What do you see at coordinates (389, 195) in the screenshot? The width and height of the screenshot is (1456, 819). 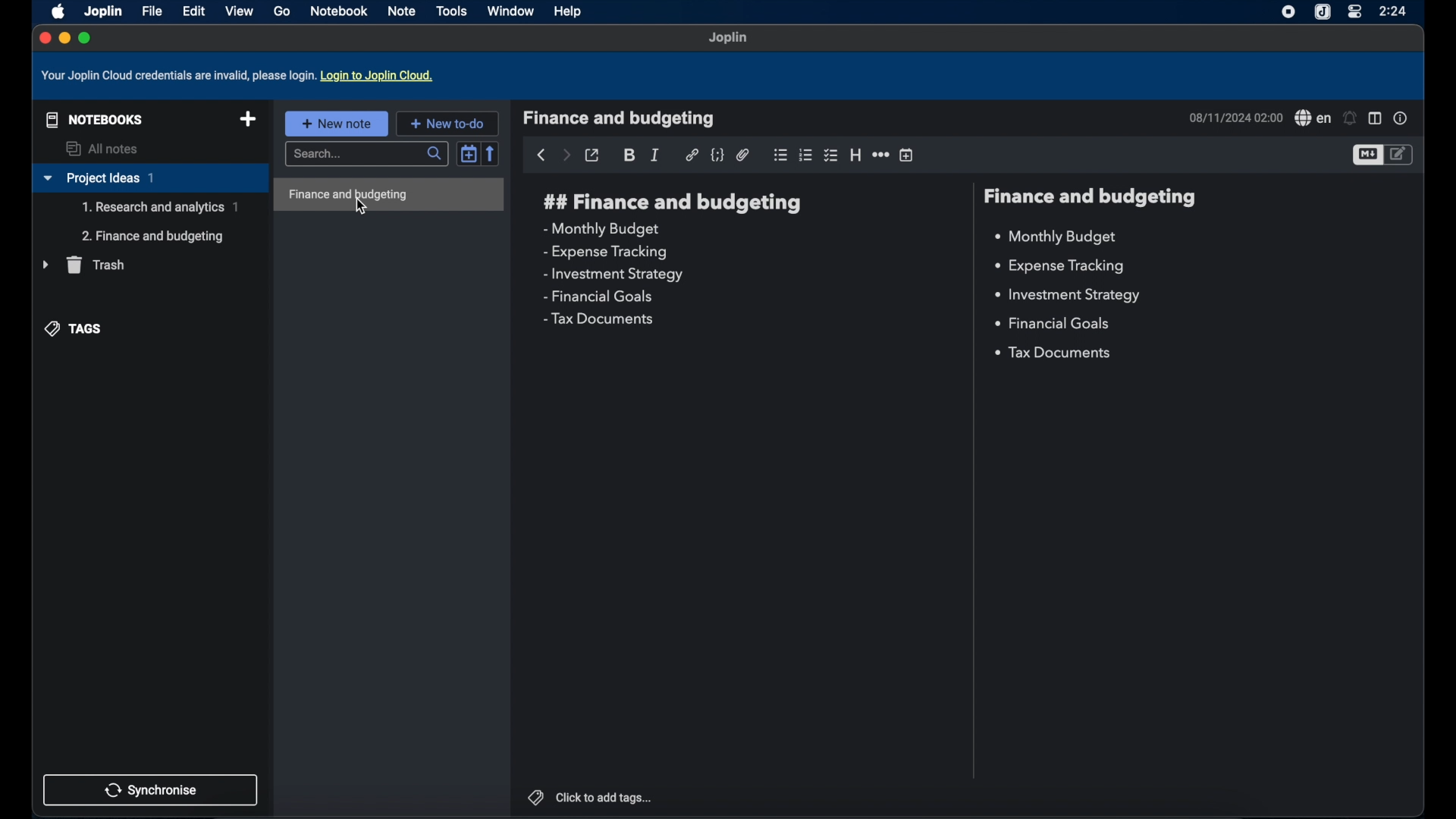 I see `finance and budgeting highlighted` at bounding box center [389, 195].